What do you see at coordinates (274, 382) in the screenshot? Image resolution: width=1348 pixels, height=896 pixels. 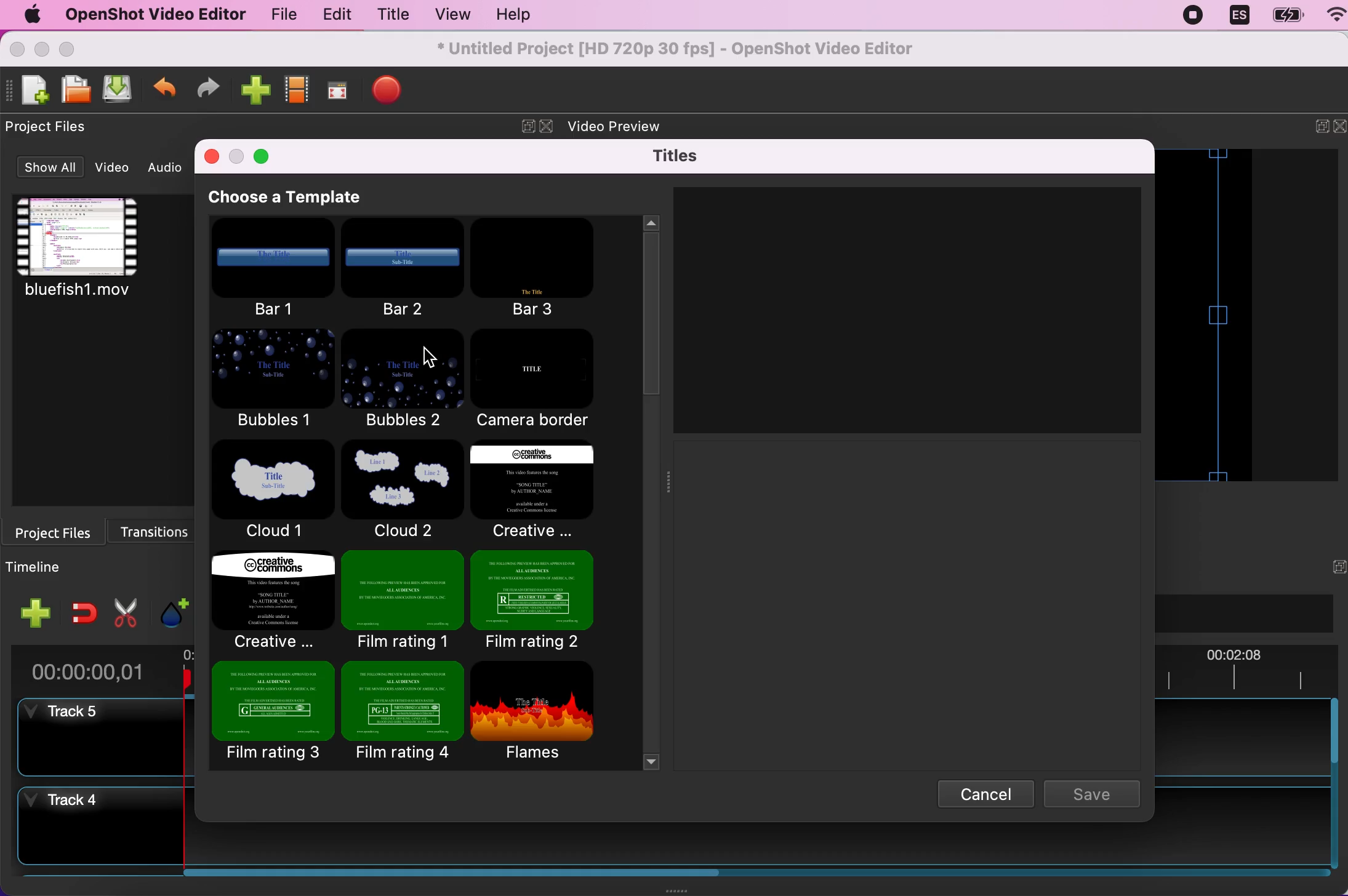 I see `bubbles 1` at bounding box center [274, 382].